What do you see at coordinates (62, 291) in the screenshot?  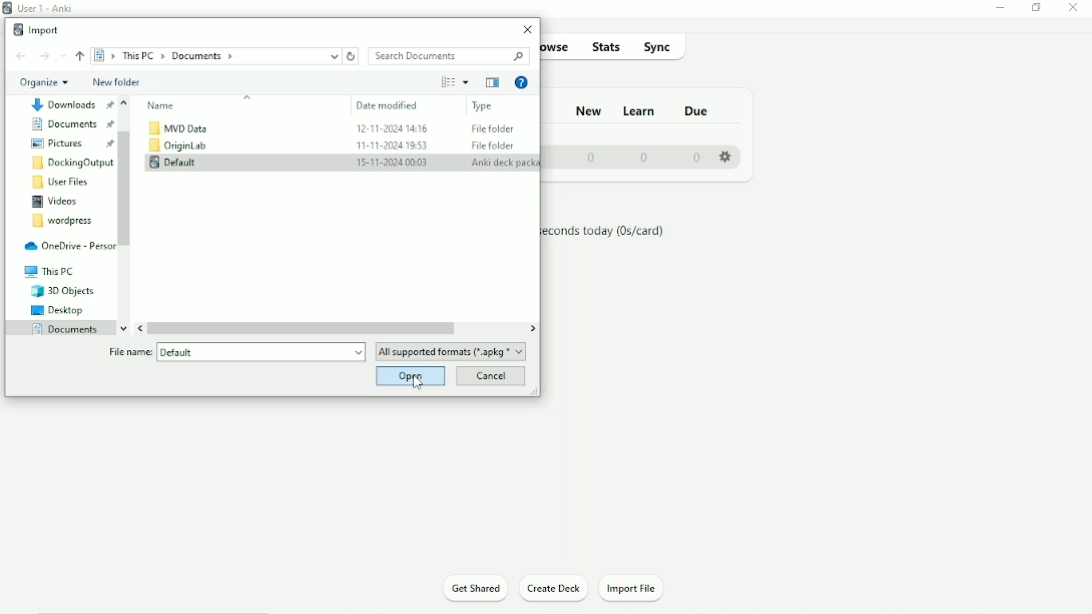 I see `3D Objects` at bounding box center [62, 291].